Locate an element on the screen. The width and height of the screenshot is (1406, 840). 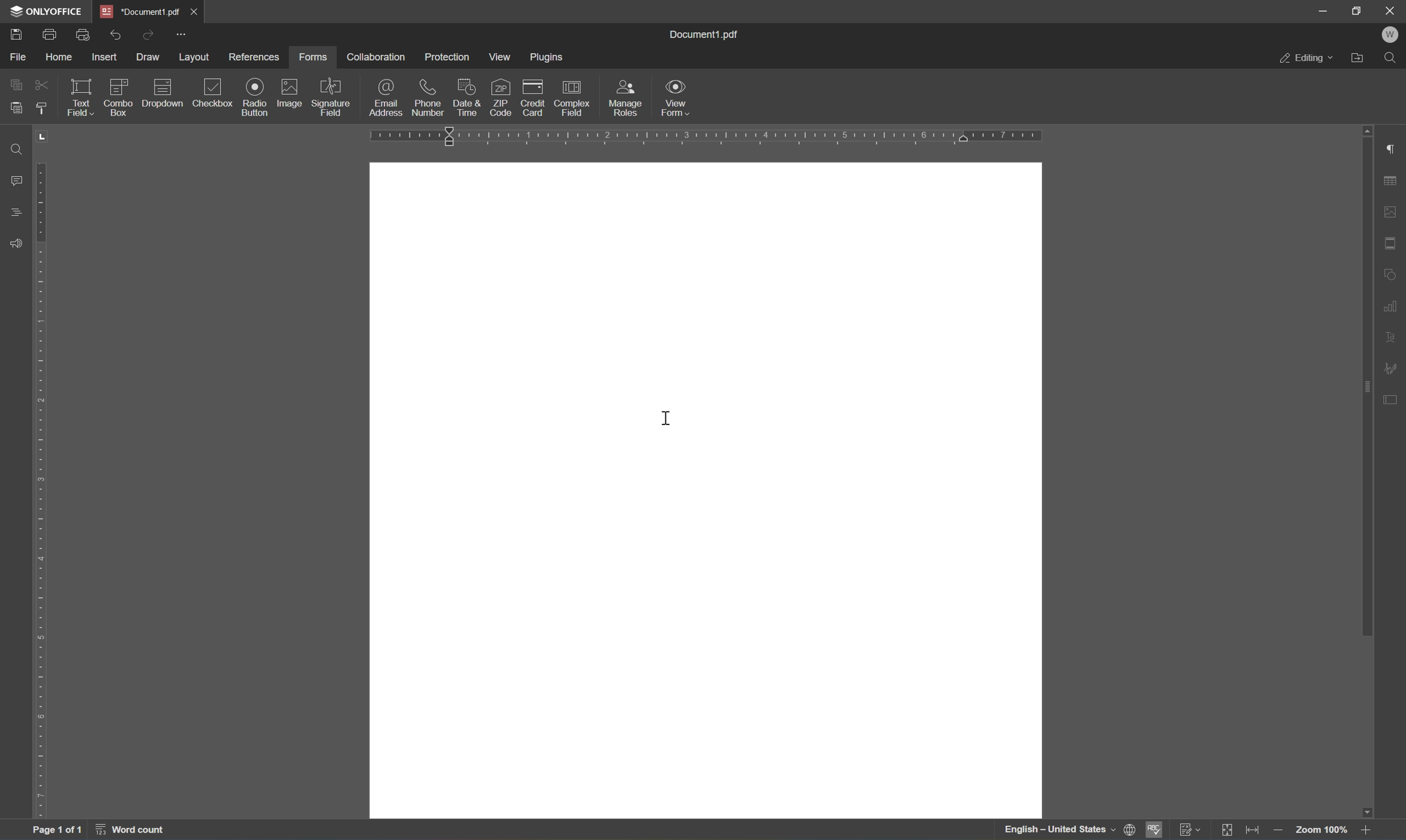
paste is located at coordinates (16, 109).